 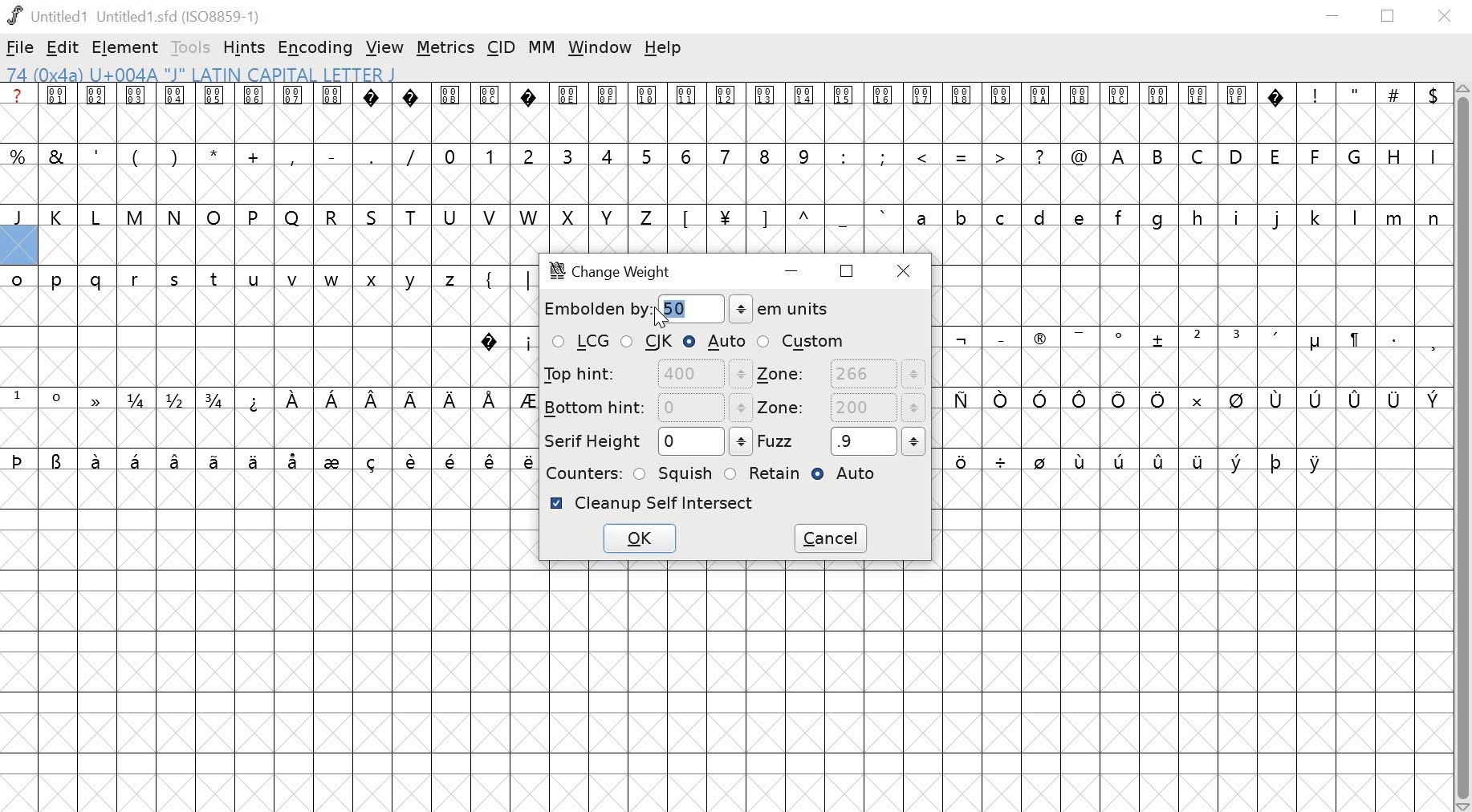 What do you see at coordinates (620, 273) in the screenshot?
I see `change weight` at bounding box center [620, 273].